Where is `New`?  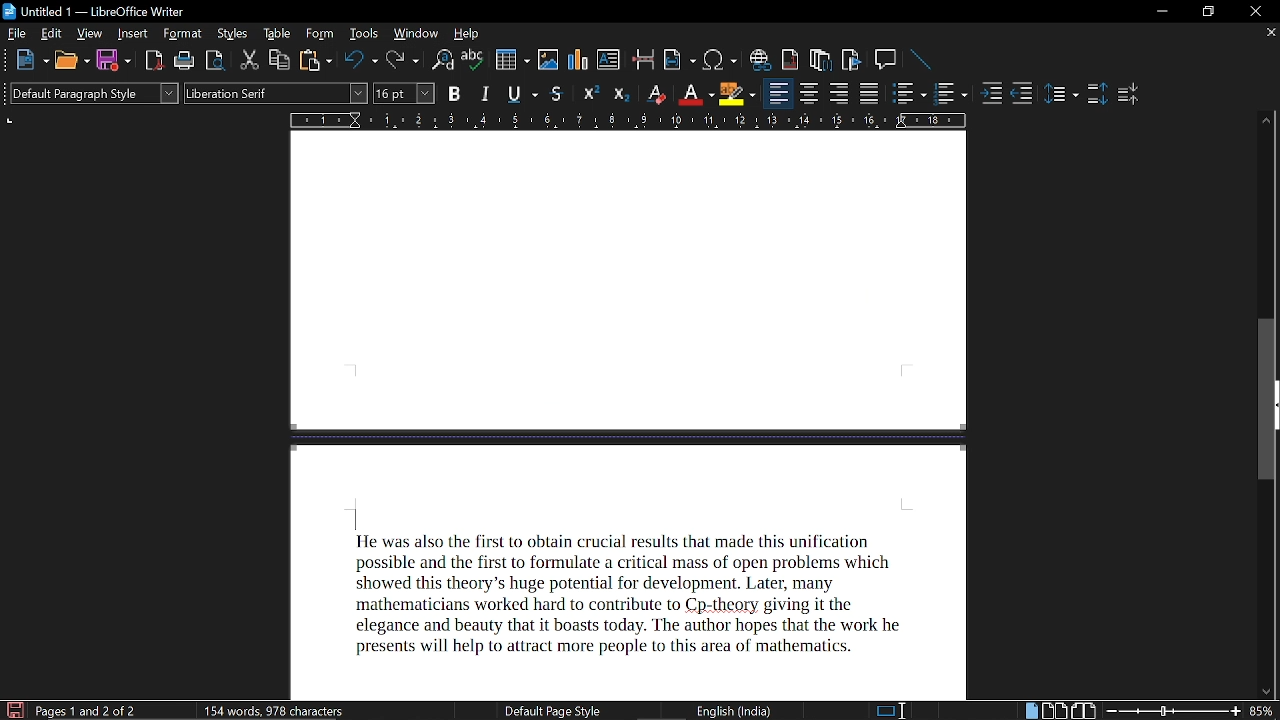 New is located at coordinates (31, 62).